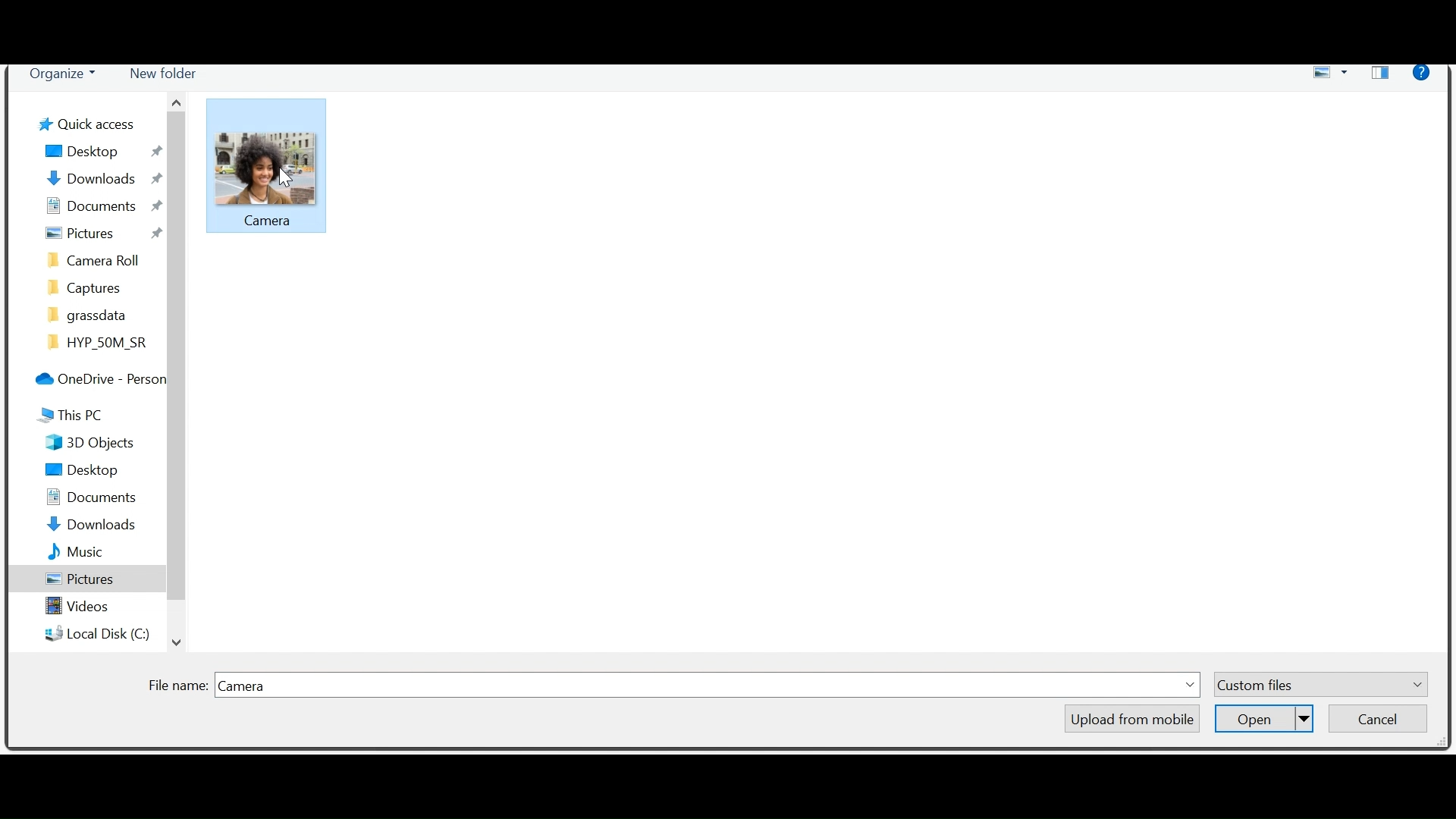 This screenshot has width=1456, height=819. I want to click on Quick Desktop Access, so click(87, 126).